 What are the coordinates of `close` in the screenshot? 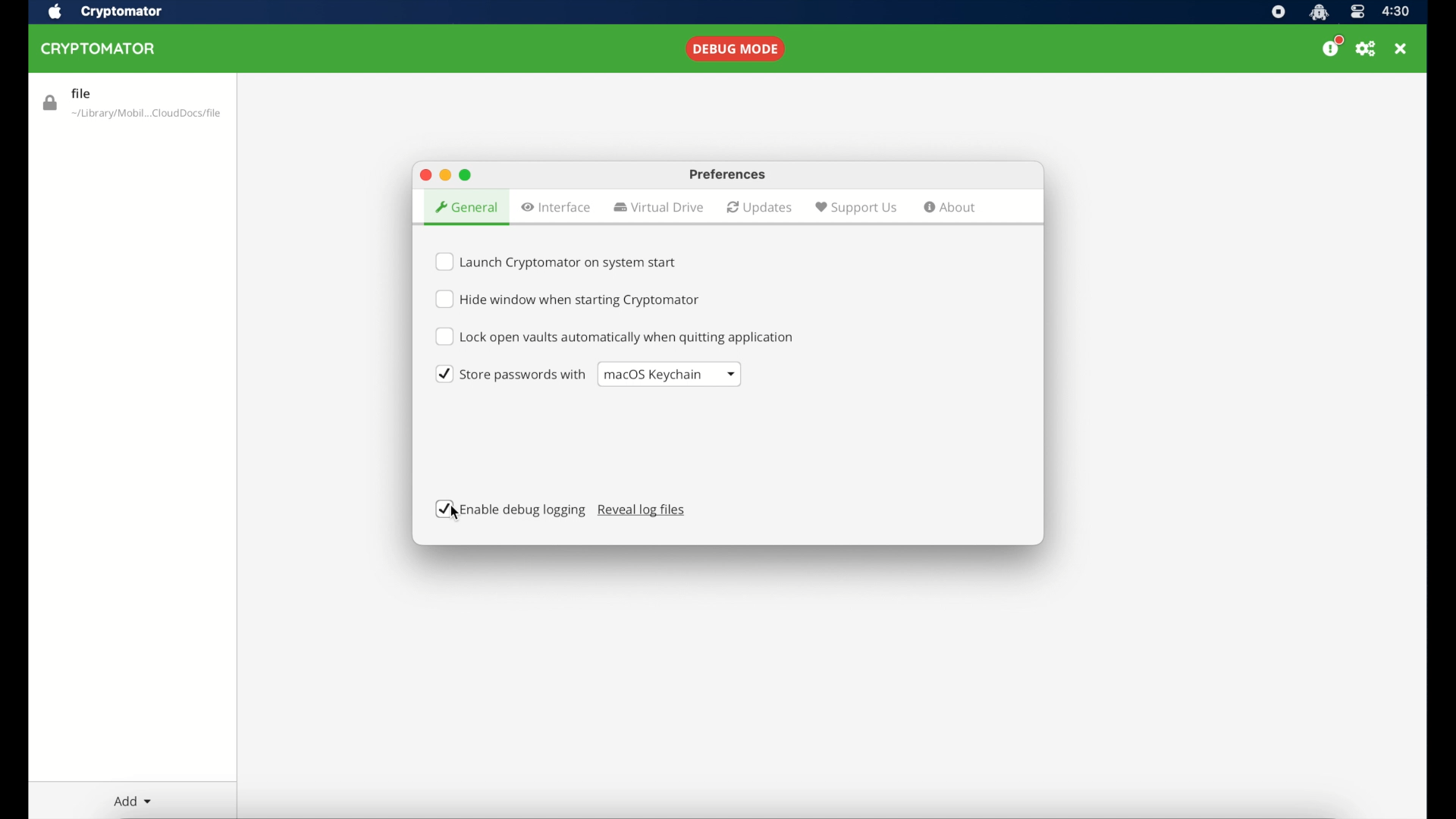 It's located at (1401, 48).